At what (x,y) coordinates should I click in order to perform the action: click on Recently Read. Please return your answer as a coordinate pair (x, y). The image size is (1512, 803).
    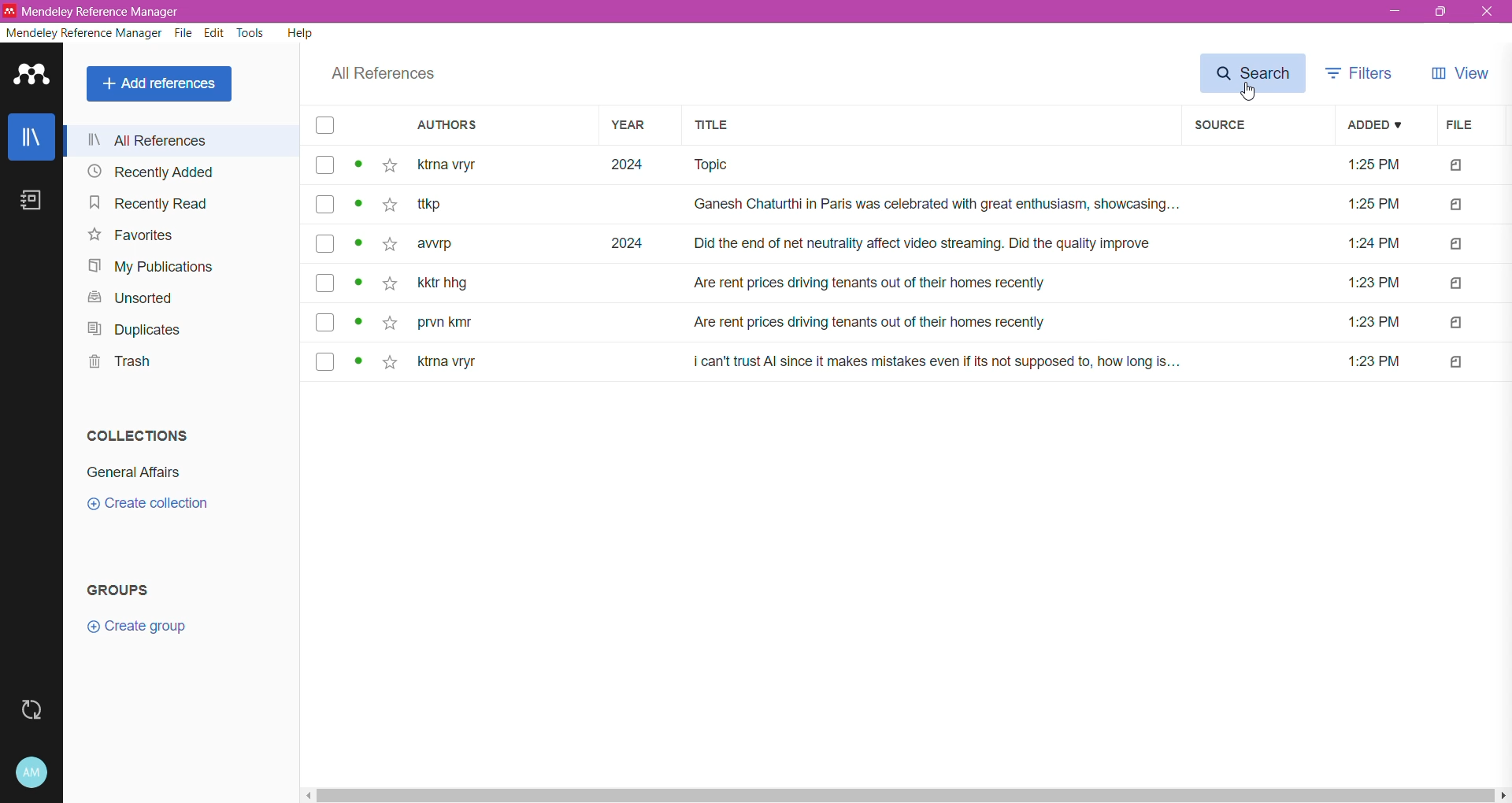
    Looking at the image, I should click on (146, 203).